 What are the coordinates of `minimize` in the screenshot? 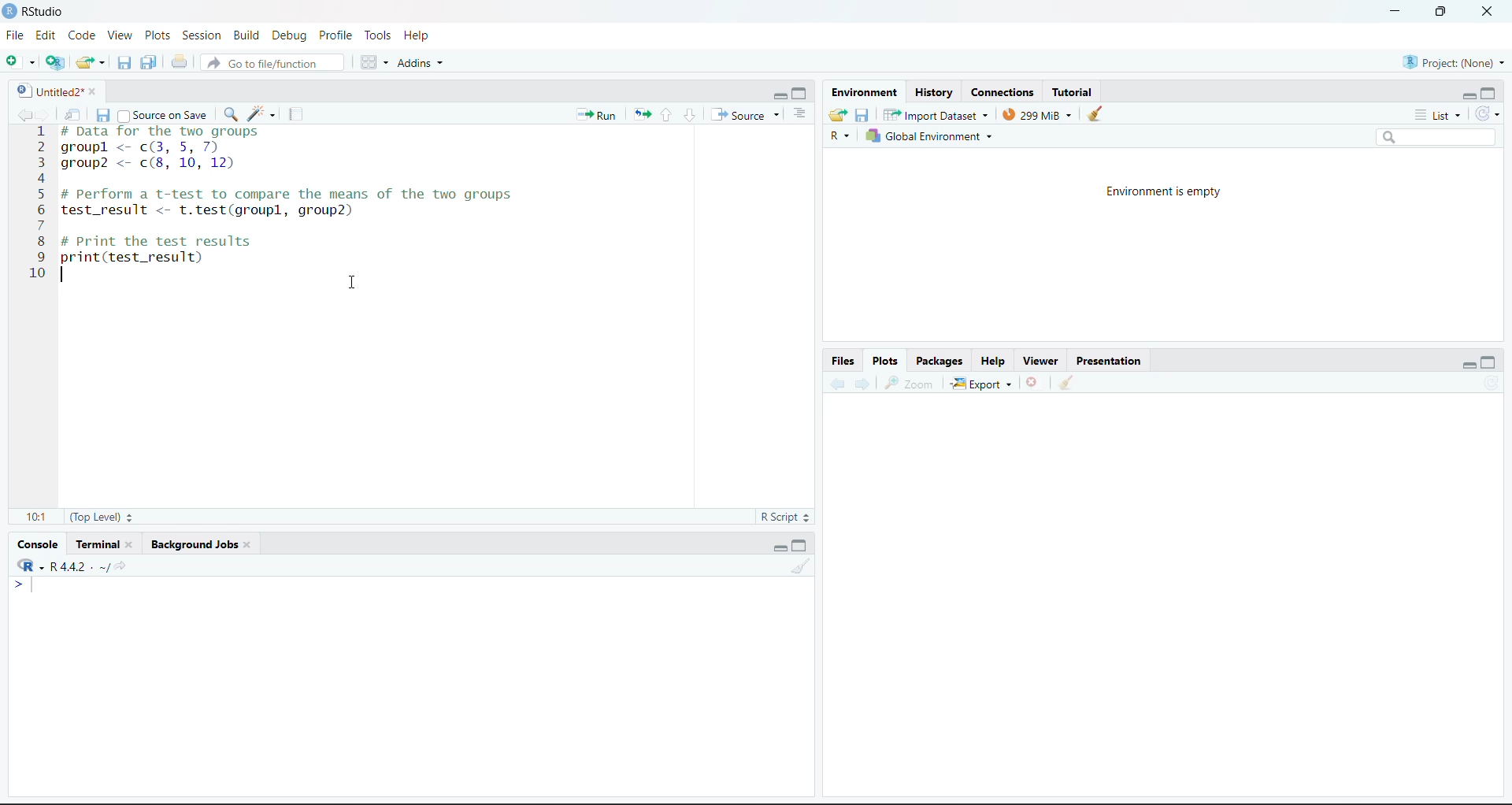 It's located at (1395, 9).